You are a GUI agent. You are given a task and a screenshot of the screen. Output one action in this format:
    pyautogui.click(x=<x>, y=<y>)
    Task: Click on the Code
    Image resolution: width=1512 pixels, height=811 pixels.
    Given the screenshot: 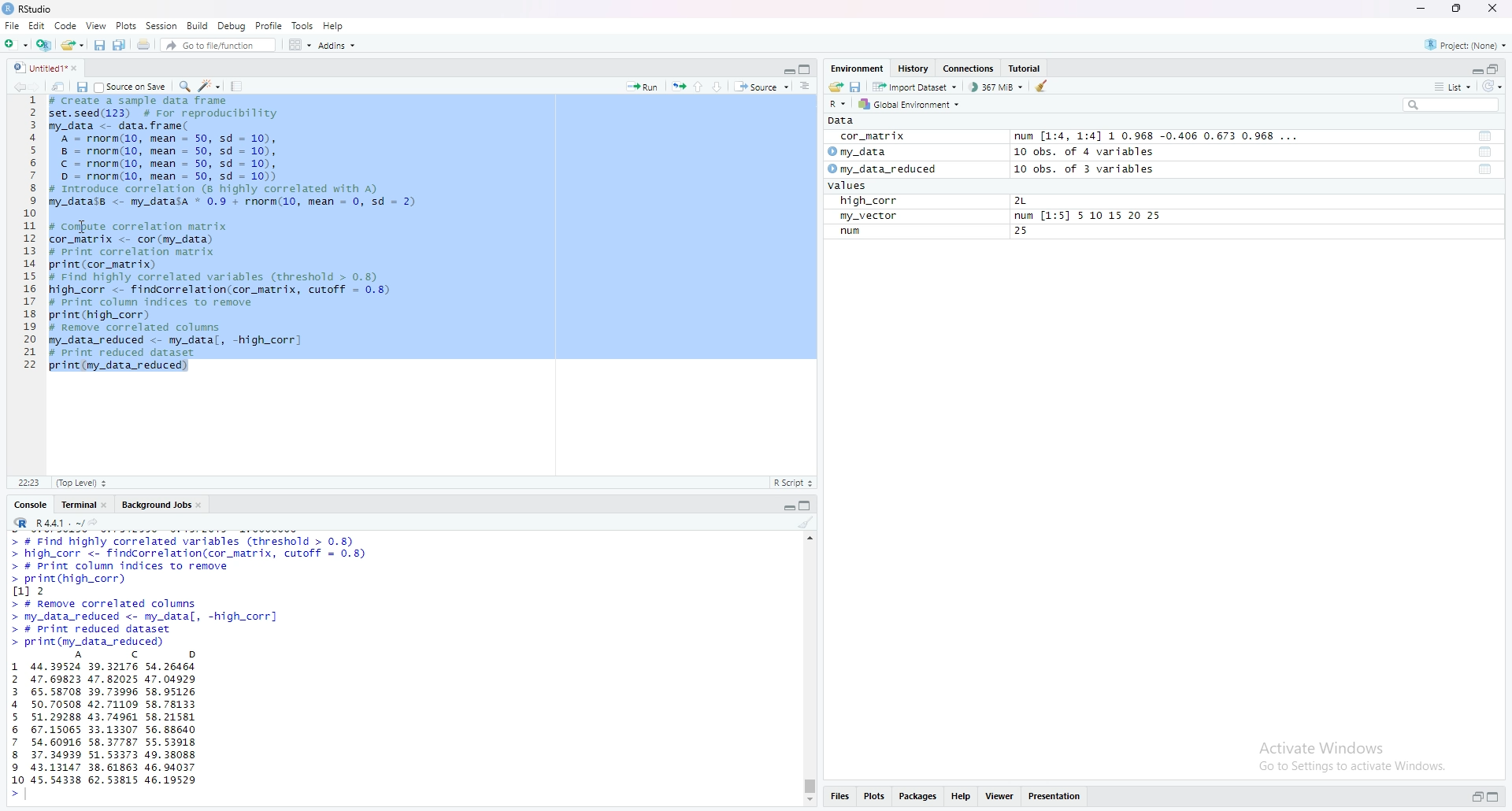 What is the action you would take?
    pyautogui.click(x=68, y=25)
    